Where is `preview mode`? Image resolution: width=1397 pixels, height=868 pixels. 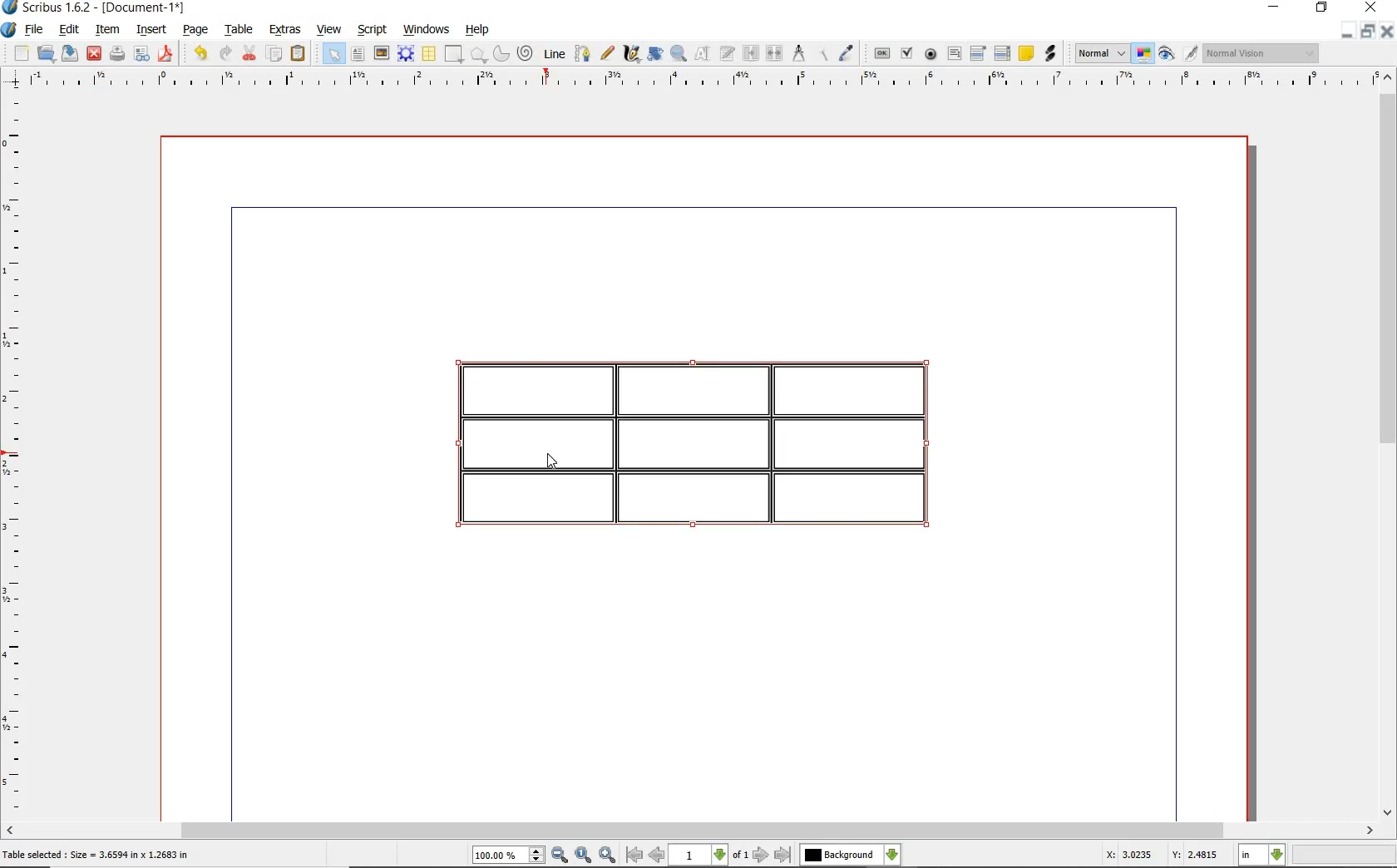 preview mode is located at coordinates (1165, 54).